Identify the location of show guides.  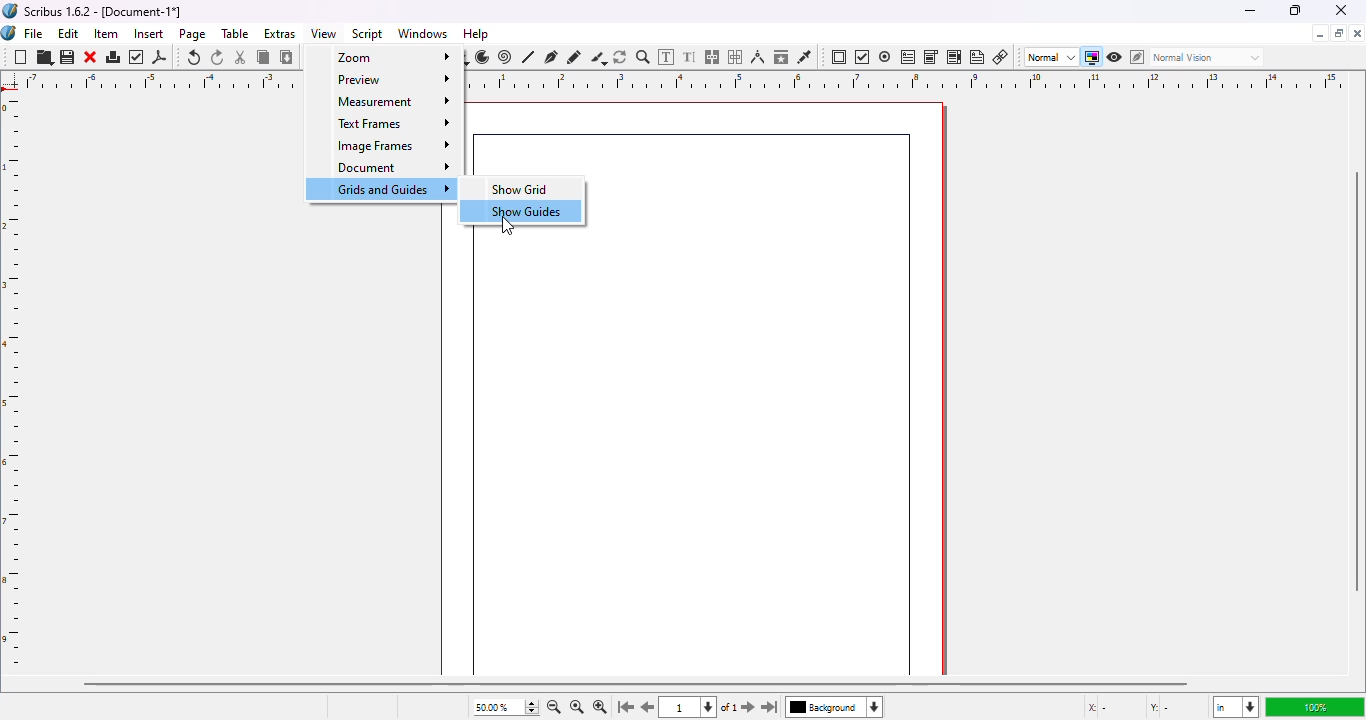
(521, 211).